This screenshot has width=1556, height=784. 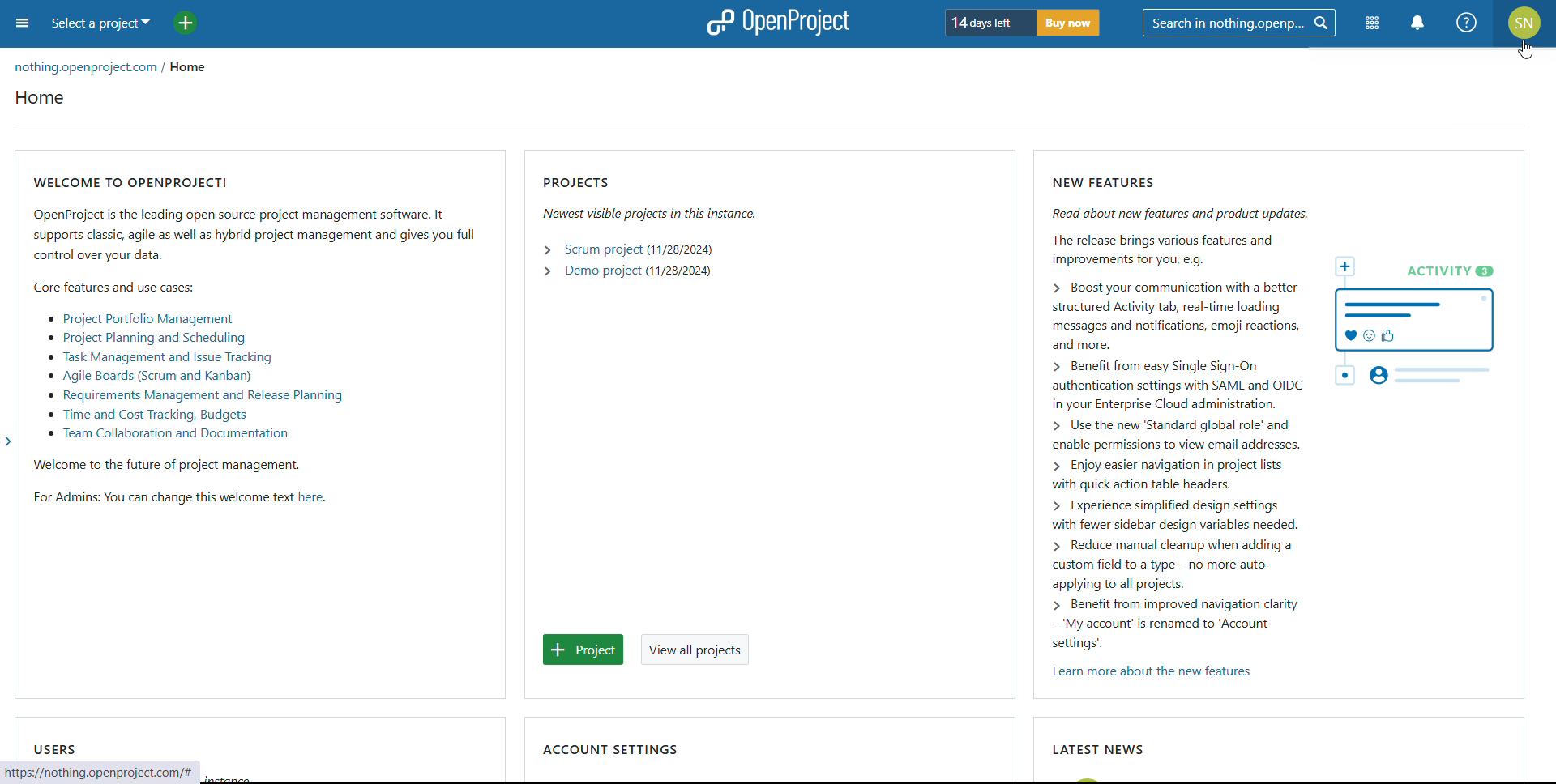 What do you see at coordinates (602, 271) in the screenshot?
I see `demo project` at bounding box center [602, 271].